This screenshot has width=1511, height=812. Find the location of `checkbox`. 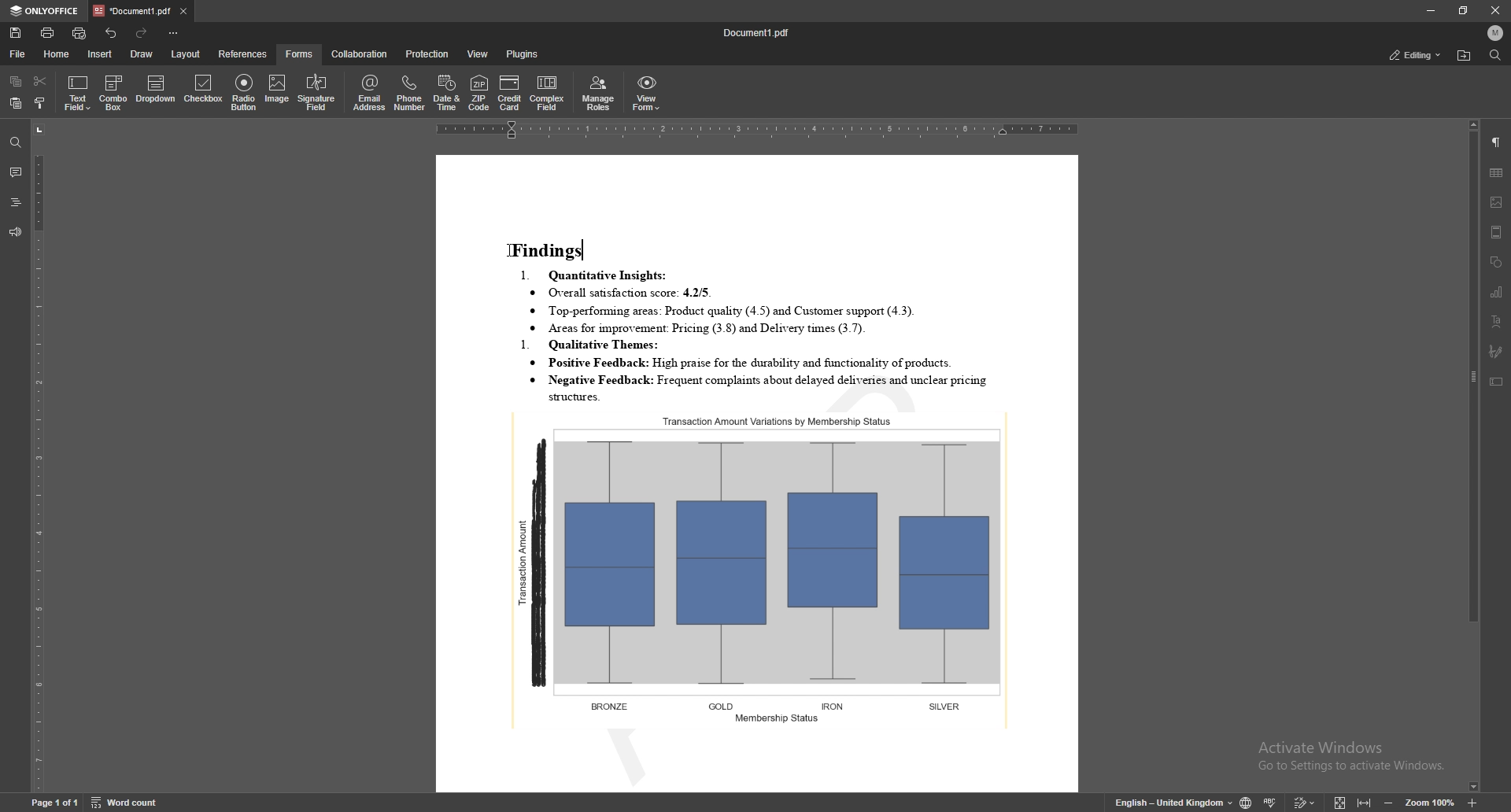

checkbox is located at coordinates (202, 91).